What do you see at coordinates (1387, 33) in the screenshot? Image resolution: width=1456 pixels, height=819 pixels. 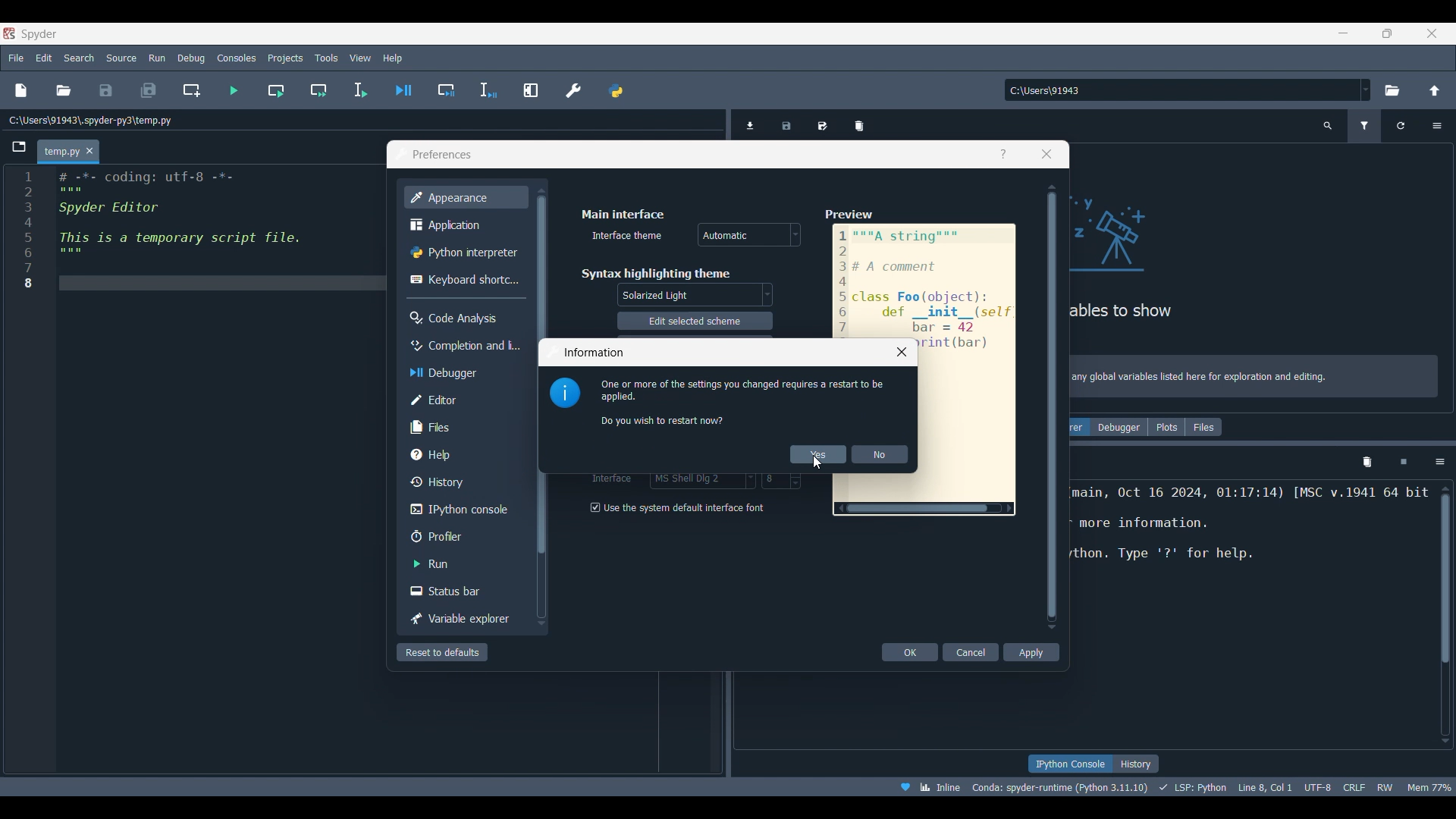 I see `Show in a smaller tab` at bounding box center [1387, 33].